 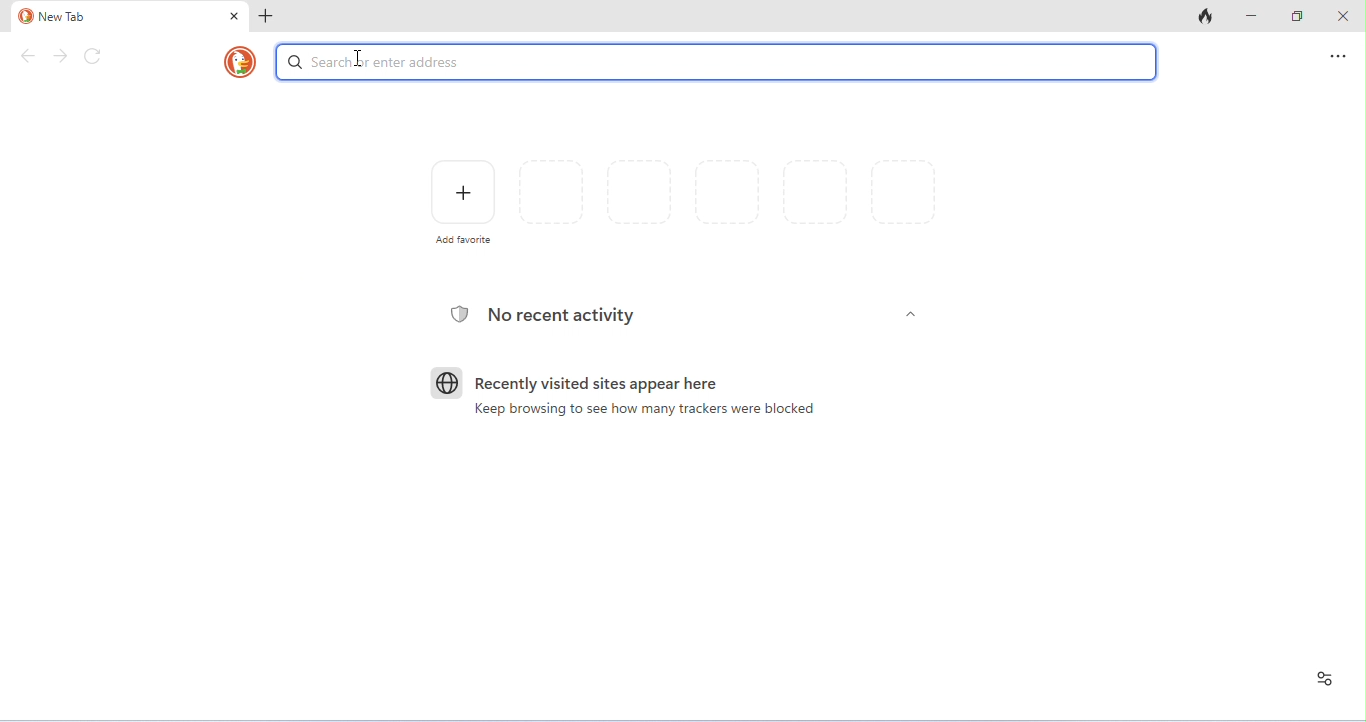 What do you see at coordinates (1327, 677) in the screenshot?
I see `recent activity and favorites` at bounding box center [1327, 677].